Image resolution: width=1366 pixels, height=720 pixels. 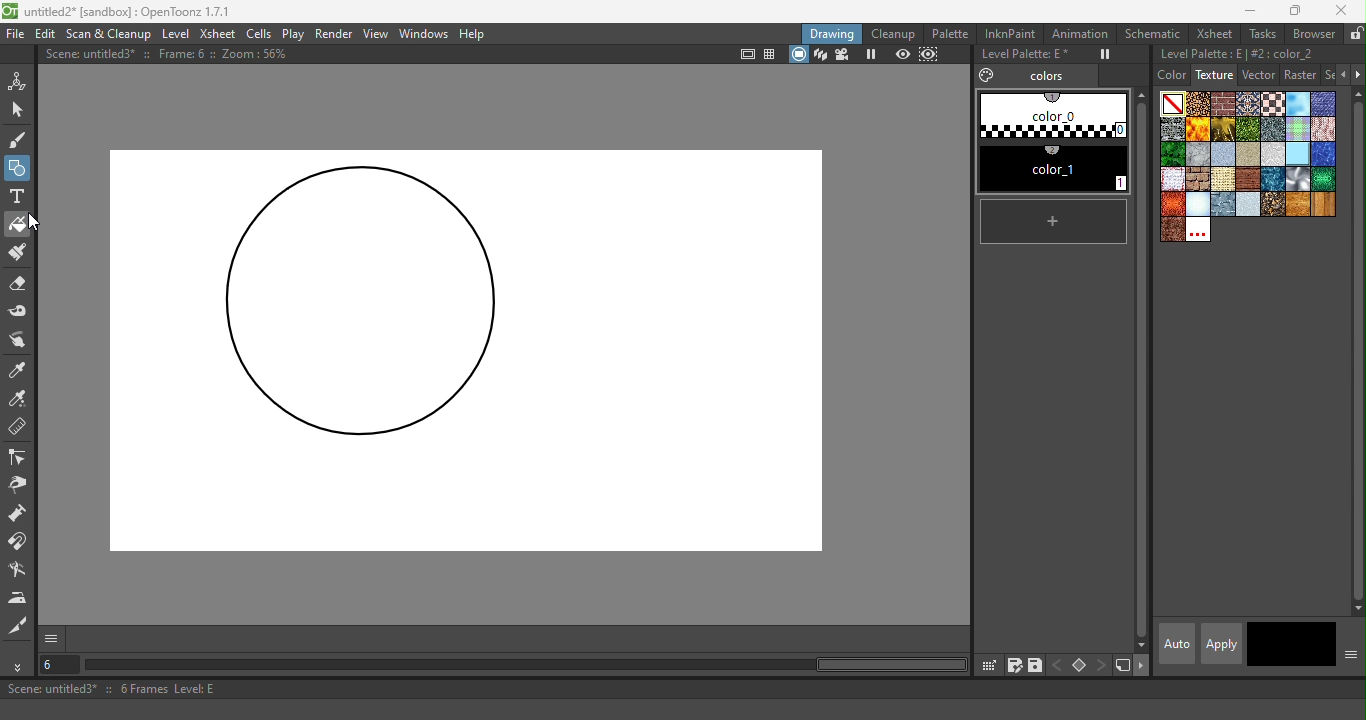 What do you see at coordinates (1102, 666) in the screenshot?
I see `next key` at bounding box center [1102, 666].